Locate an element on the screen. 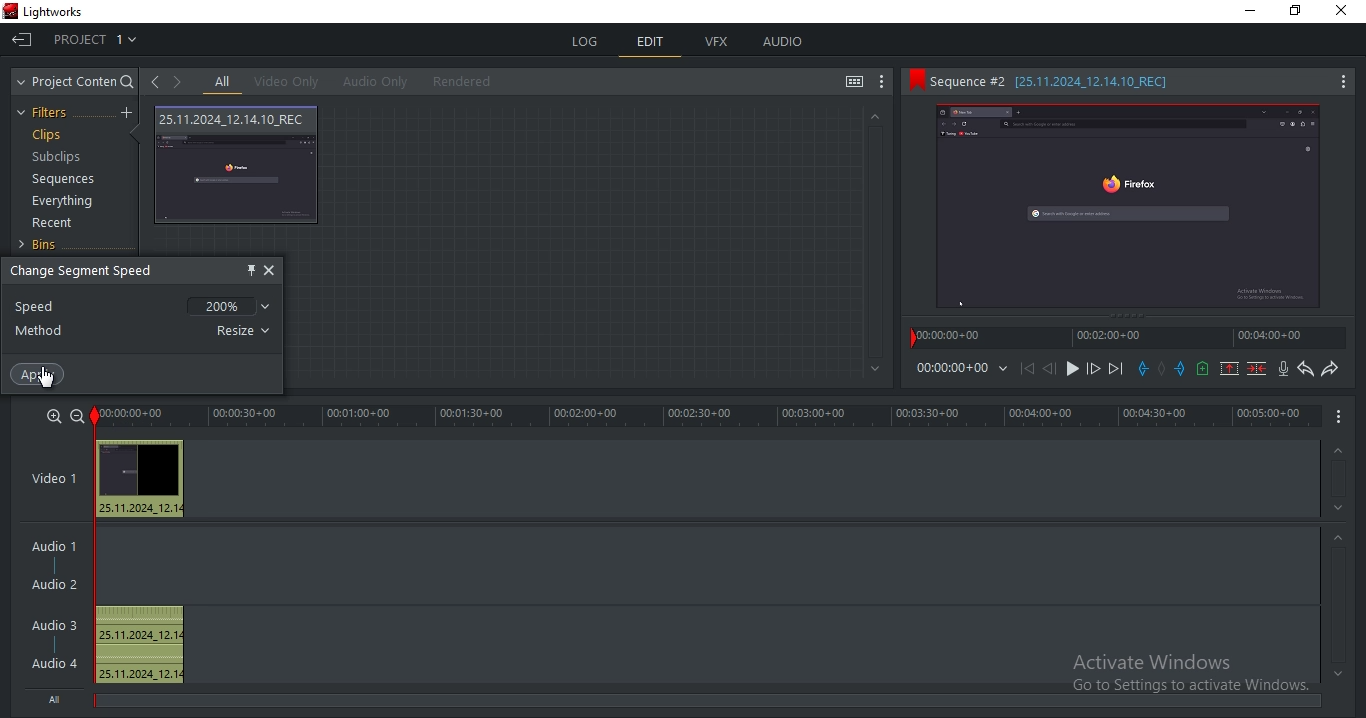  add is located at coordinates (129, 113).